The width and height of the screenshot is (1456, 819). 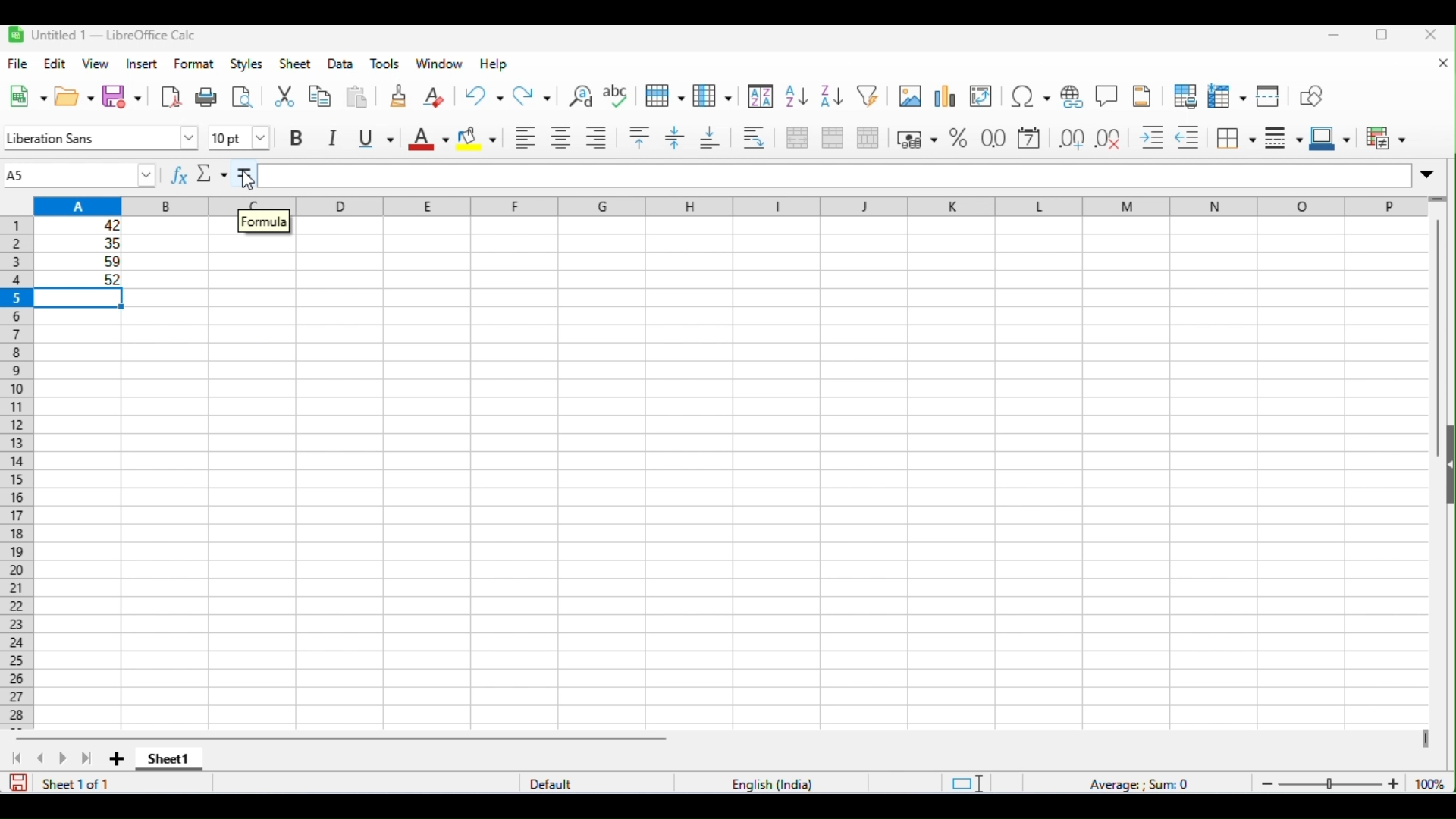 What do you see at coordinates (868, 95) in the screenshot?
I see `filter` at bounding box center [868, 95].